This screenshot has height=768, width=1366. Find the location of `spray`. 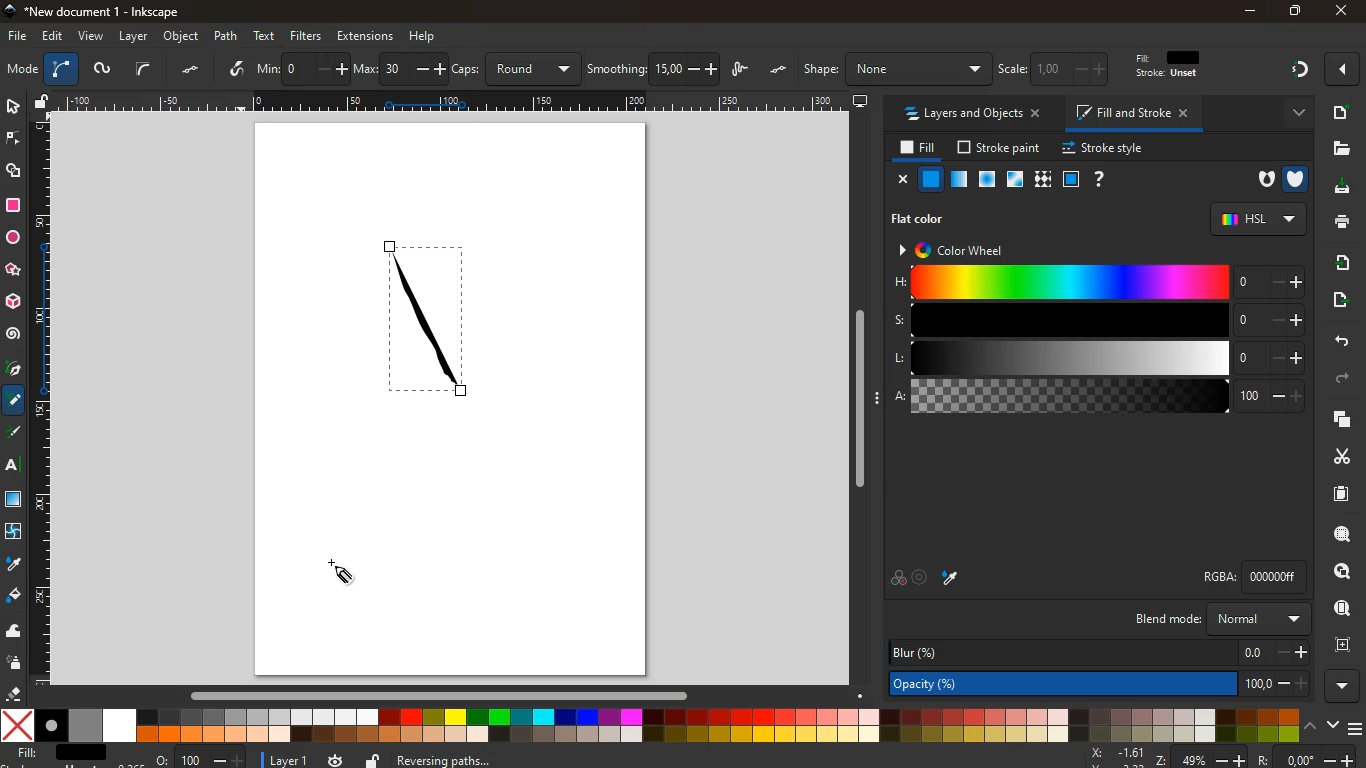

spray is located at coordinates (15, 664).